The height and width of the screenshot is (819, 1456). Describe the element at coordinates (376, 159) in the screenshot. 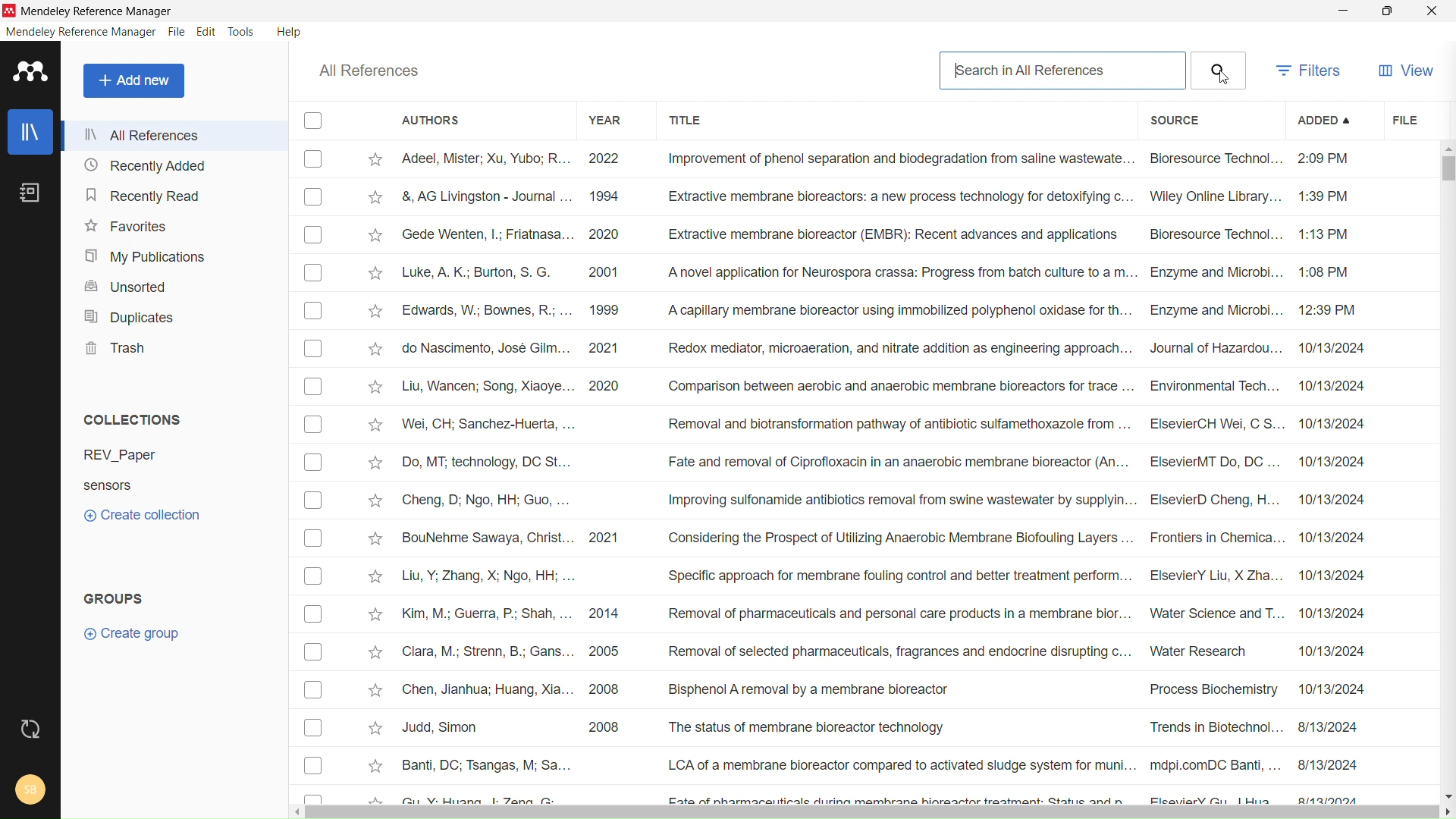

I see `mark as favorite` at that location.